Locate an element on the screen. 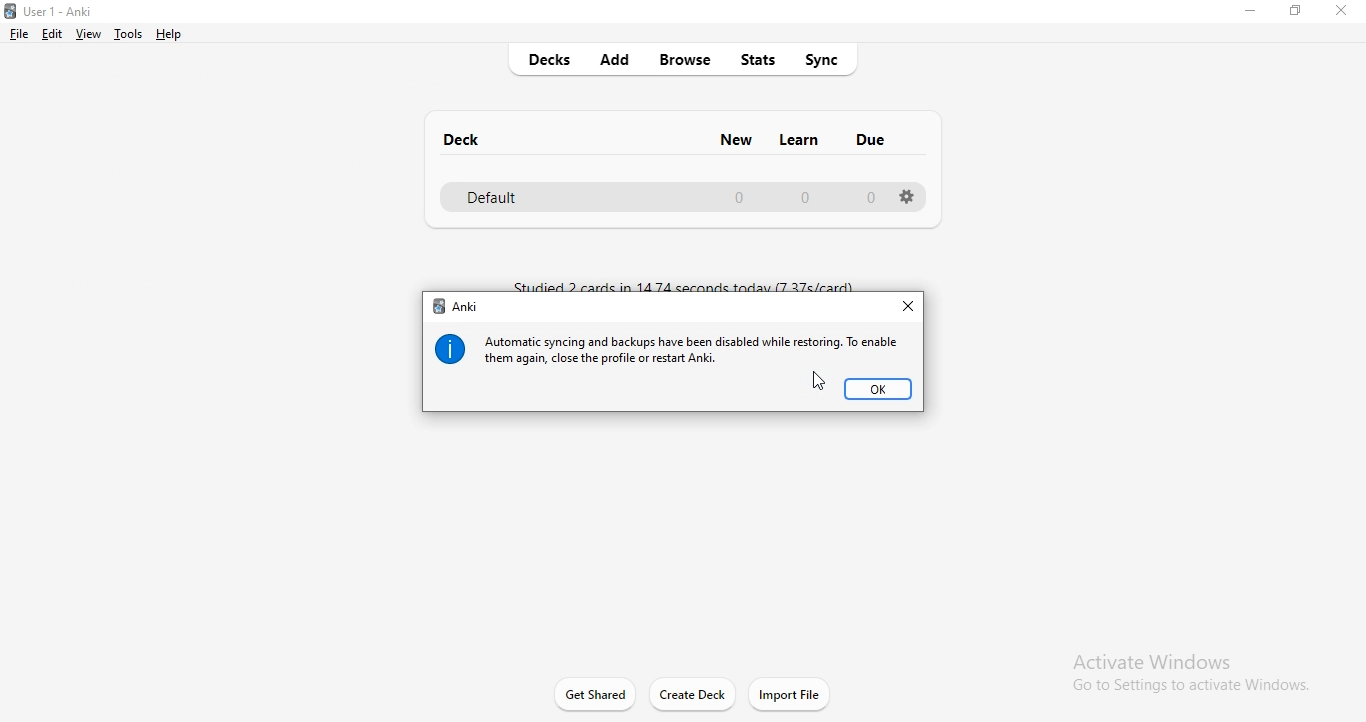  import file is located at coordinates (790, 694).